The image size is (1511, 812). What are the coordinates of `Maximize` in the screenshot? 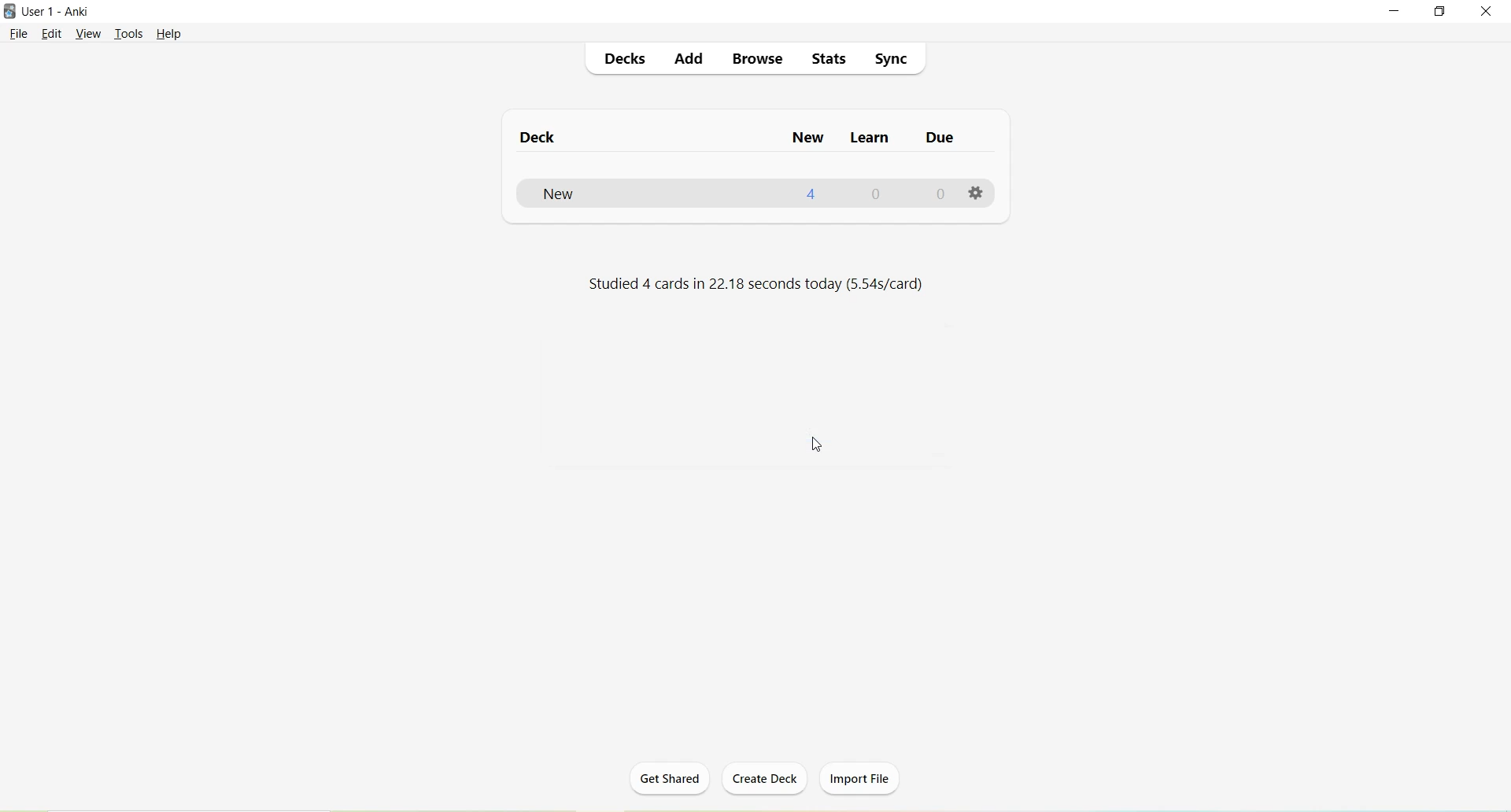 It's located at (1446, 12).